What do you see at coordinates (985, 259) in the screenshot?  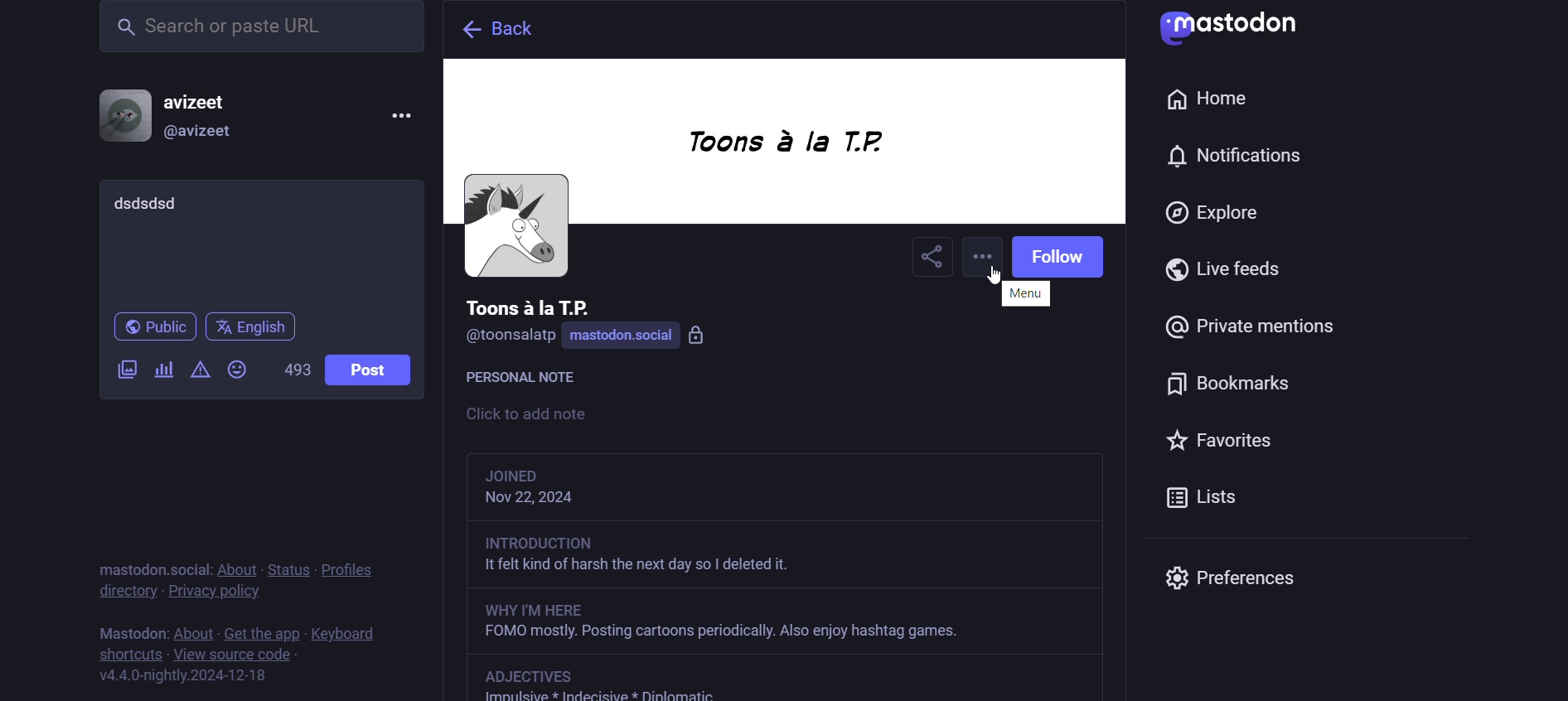 I see `menu` at bounding box center [985, 259].